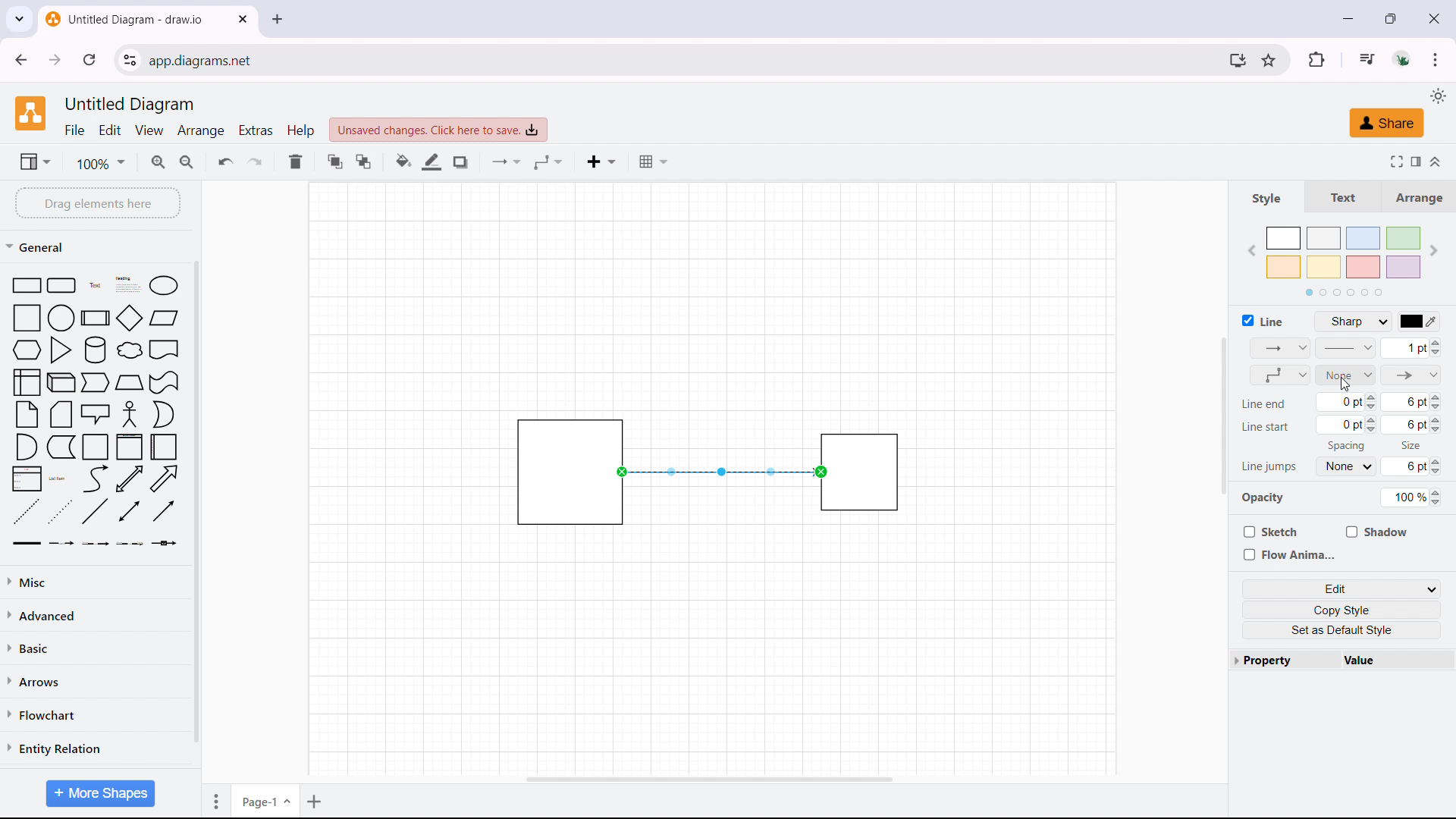 This screenshot has height=819, width=1456. Describe the element at coordinates (265, 799) in the screenshot. I see `current page` at that location.